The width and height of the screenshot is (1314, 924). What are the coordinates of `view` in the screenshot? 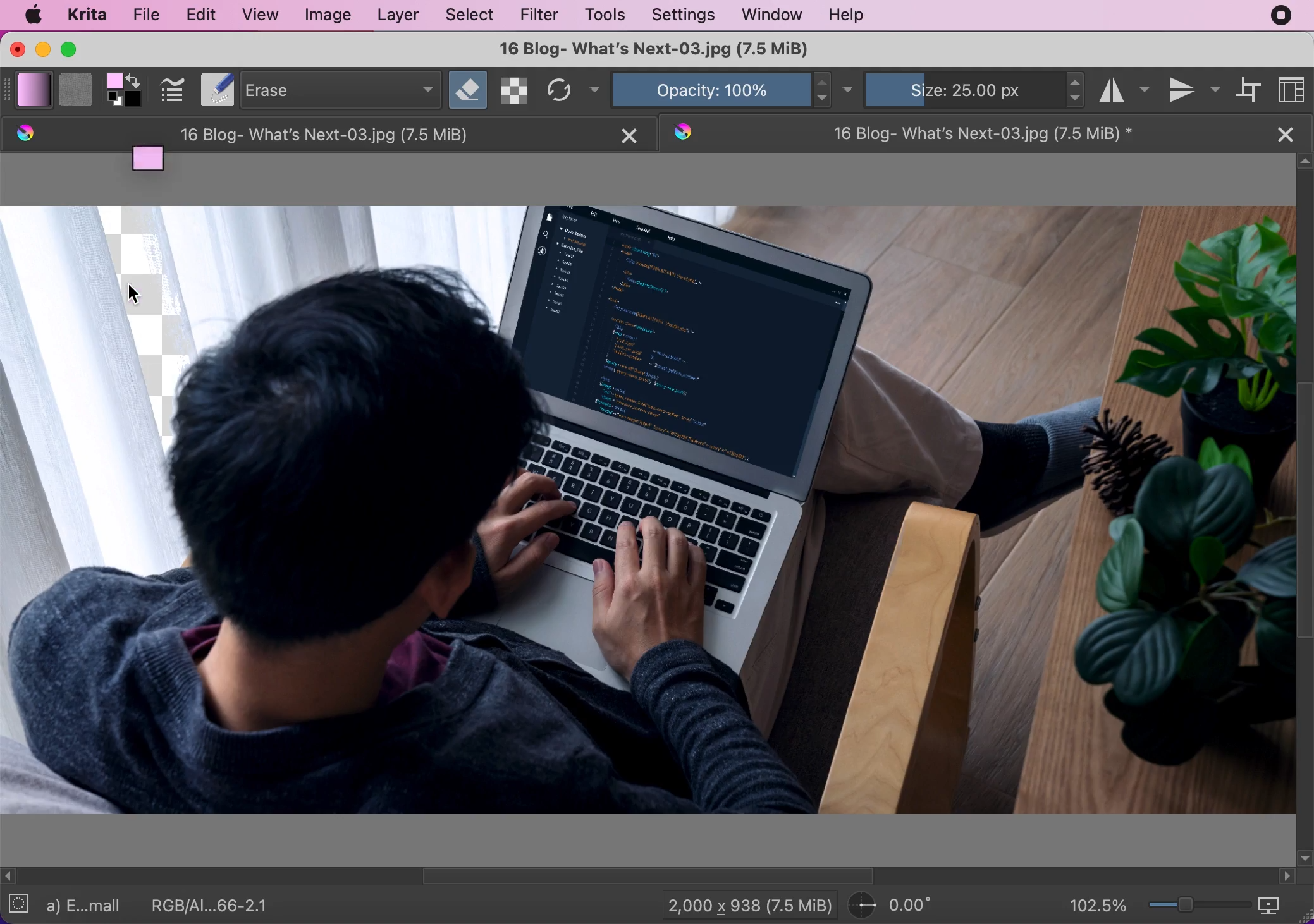 It's located at (262, 14).